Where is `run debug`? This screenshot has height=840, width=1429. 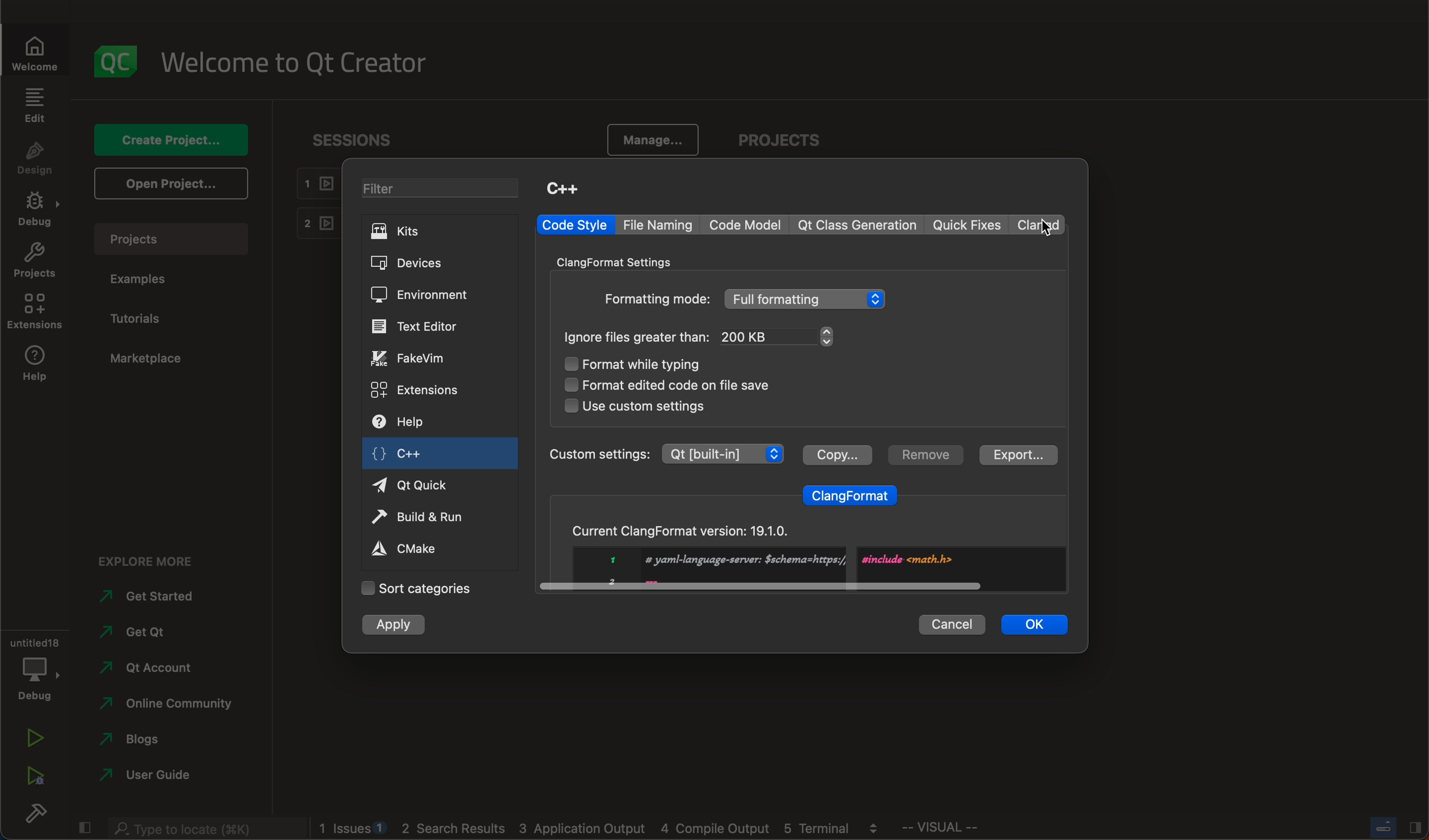 run debug is located at coordinates (37, 776).